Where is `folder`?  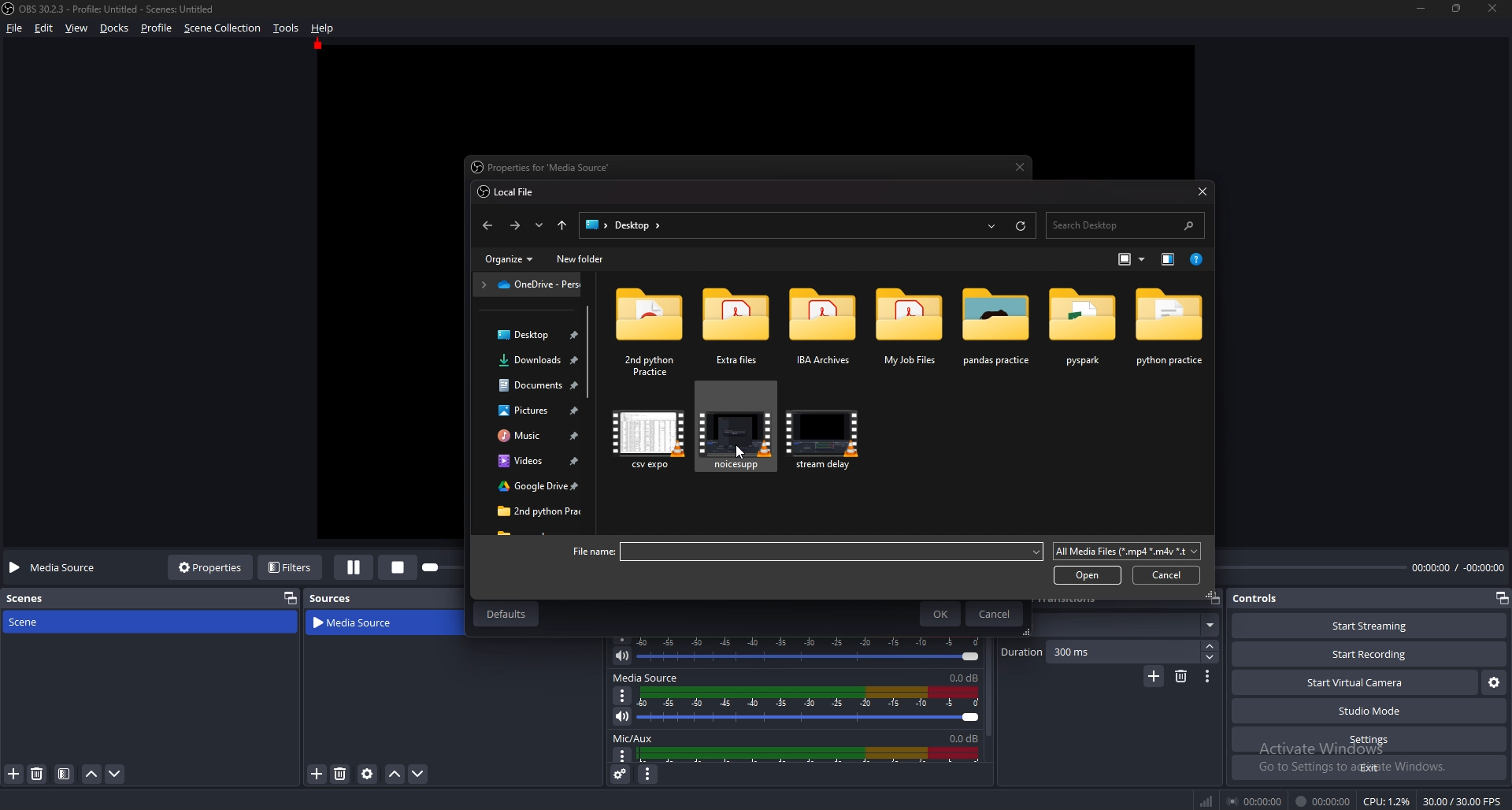 folder is located at coordinates (535, 437).